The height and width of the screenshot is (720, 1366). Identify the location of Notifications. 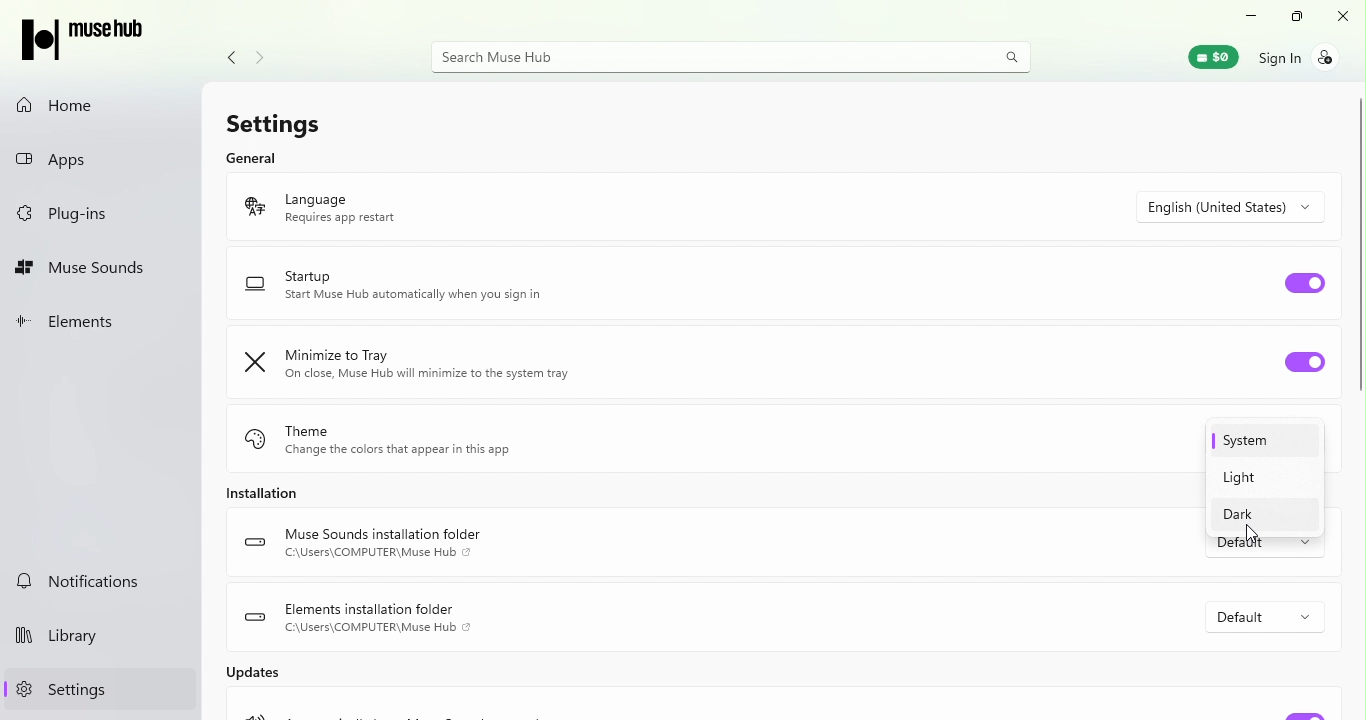
(82, 578).